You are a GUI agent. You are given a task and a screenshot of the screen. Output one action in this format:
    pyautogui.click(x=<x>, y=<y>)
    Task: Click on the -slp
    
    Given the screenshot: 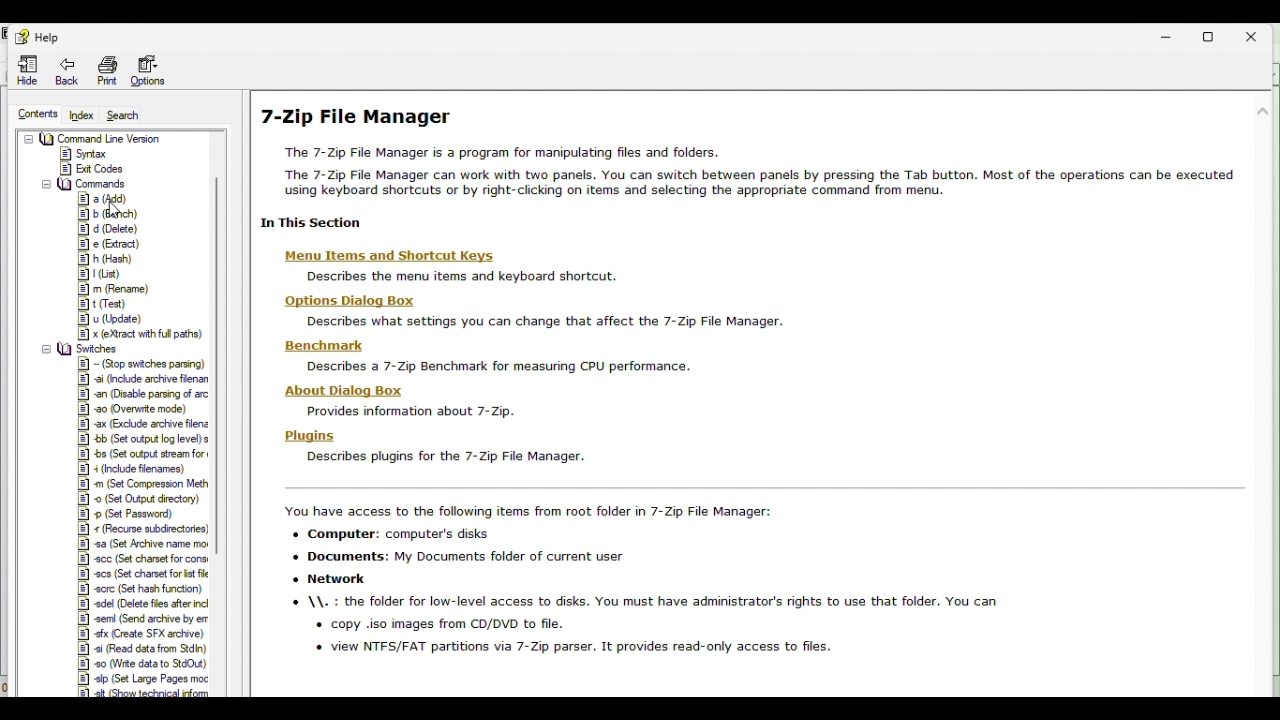 What is the action you would take?
    pyautogui.click(x=145, y=678)
    